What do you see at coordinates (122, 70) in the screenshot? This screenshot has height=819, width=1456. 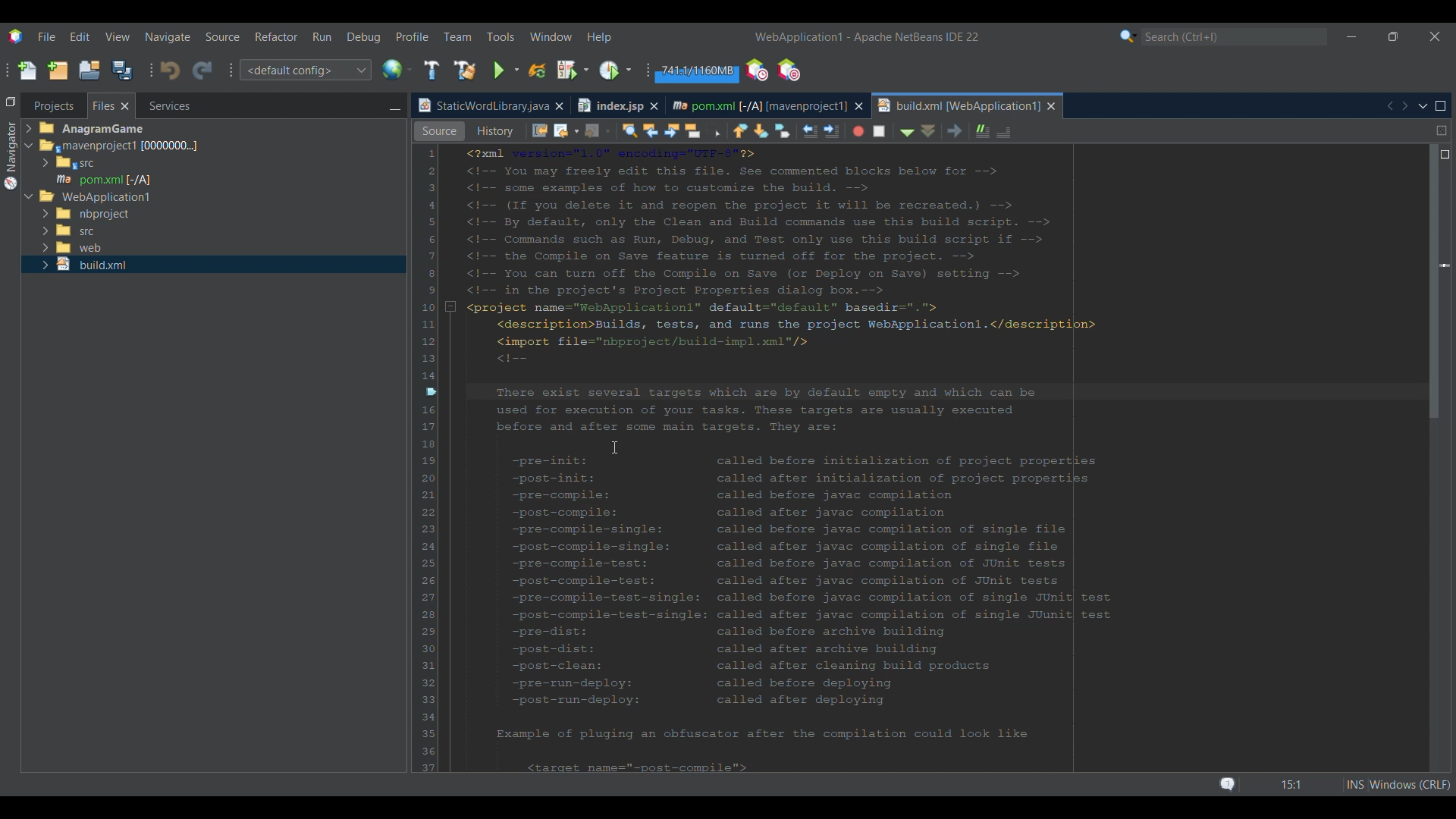 I see `Save all` at bounding box center [122, 70].